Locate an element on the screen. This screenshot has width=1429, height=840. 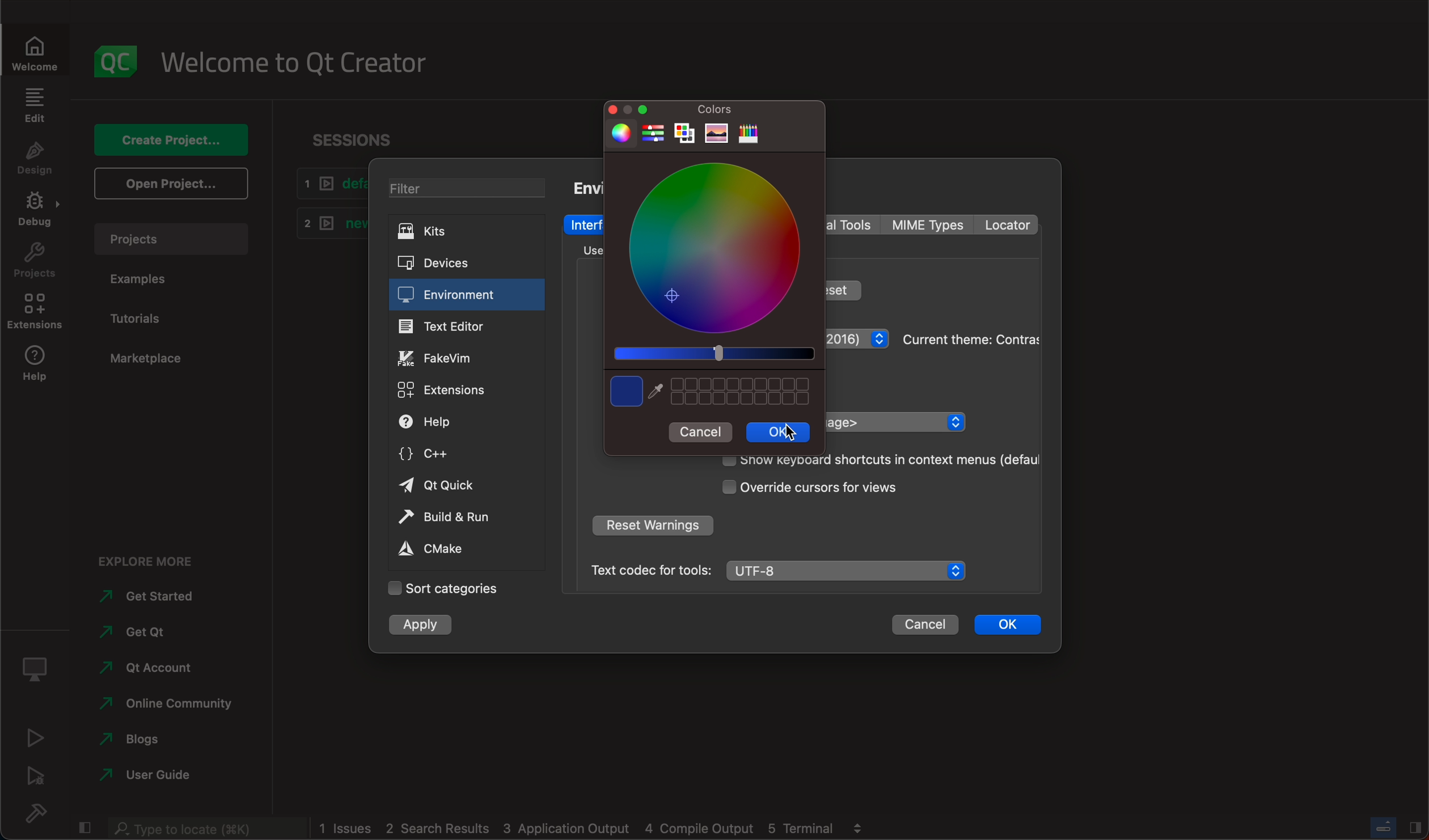
kits is located at coordinates (460, 232).